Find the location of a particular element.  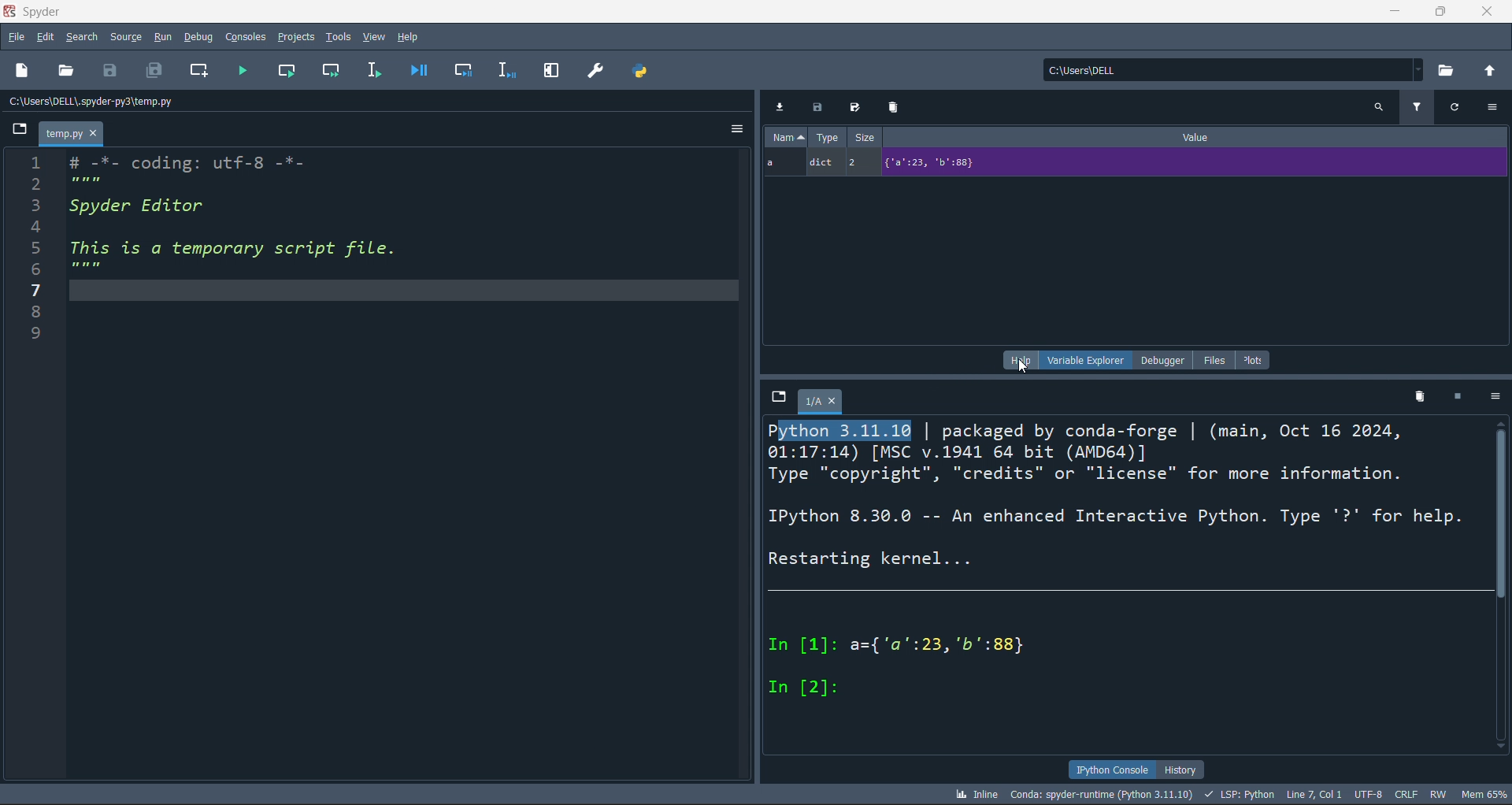

maximize is located at coordinates (1441, 12).